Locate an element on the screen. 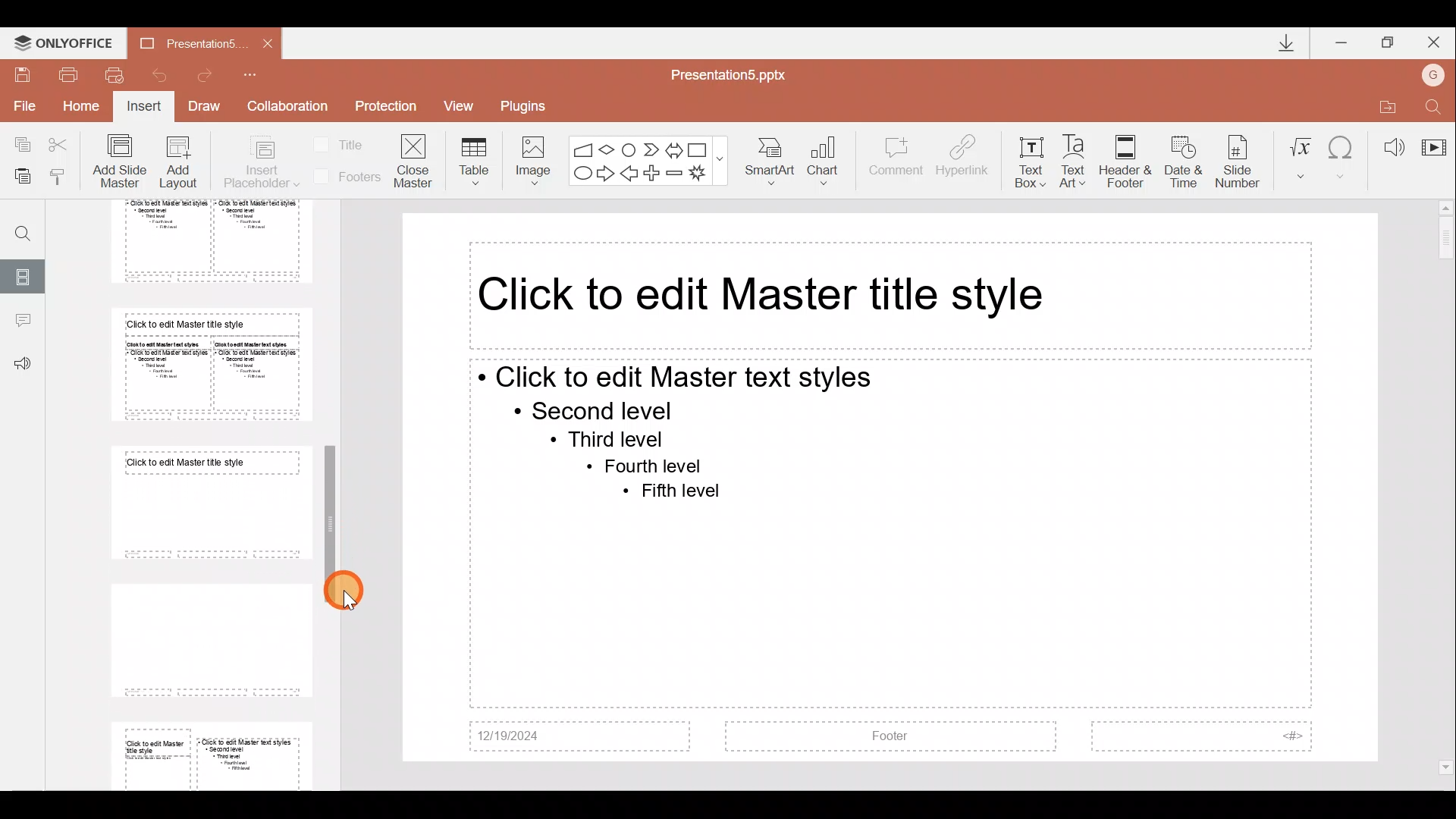  Protection is located at coordinates (385, 108).